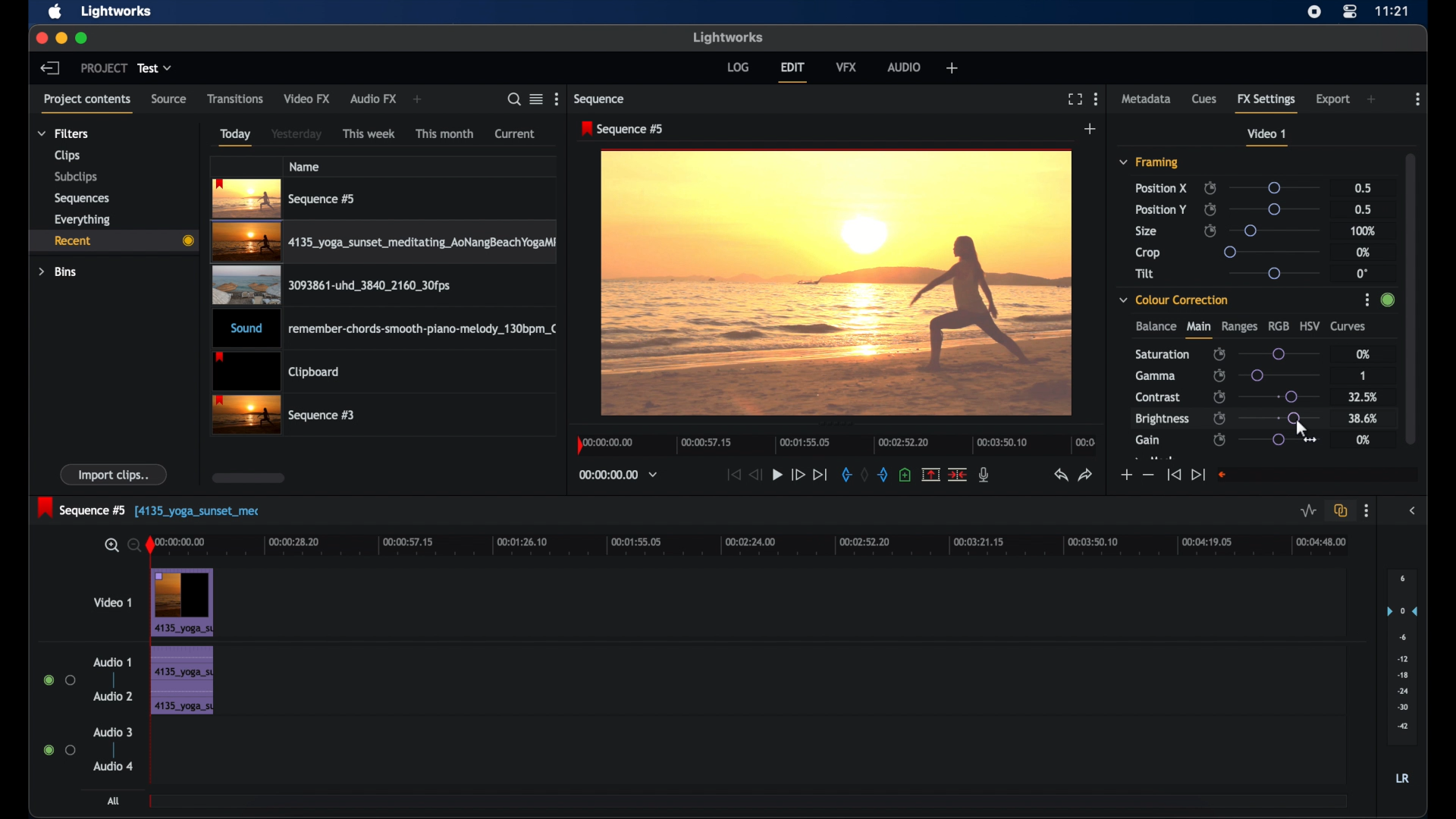 This screenshot has width=1456, height=819. What do you see at coordinates (1309, 511) in the screenshot?
I see `toggle audio levels editing` at bounding box center [1309, 511].